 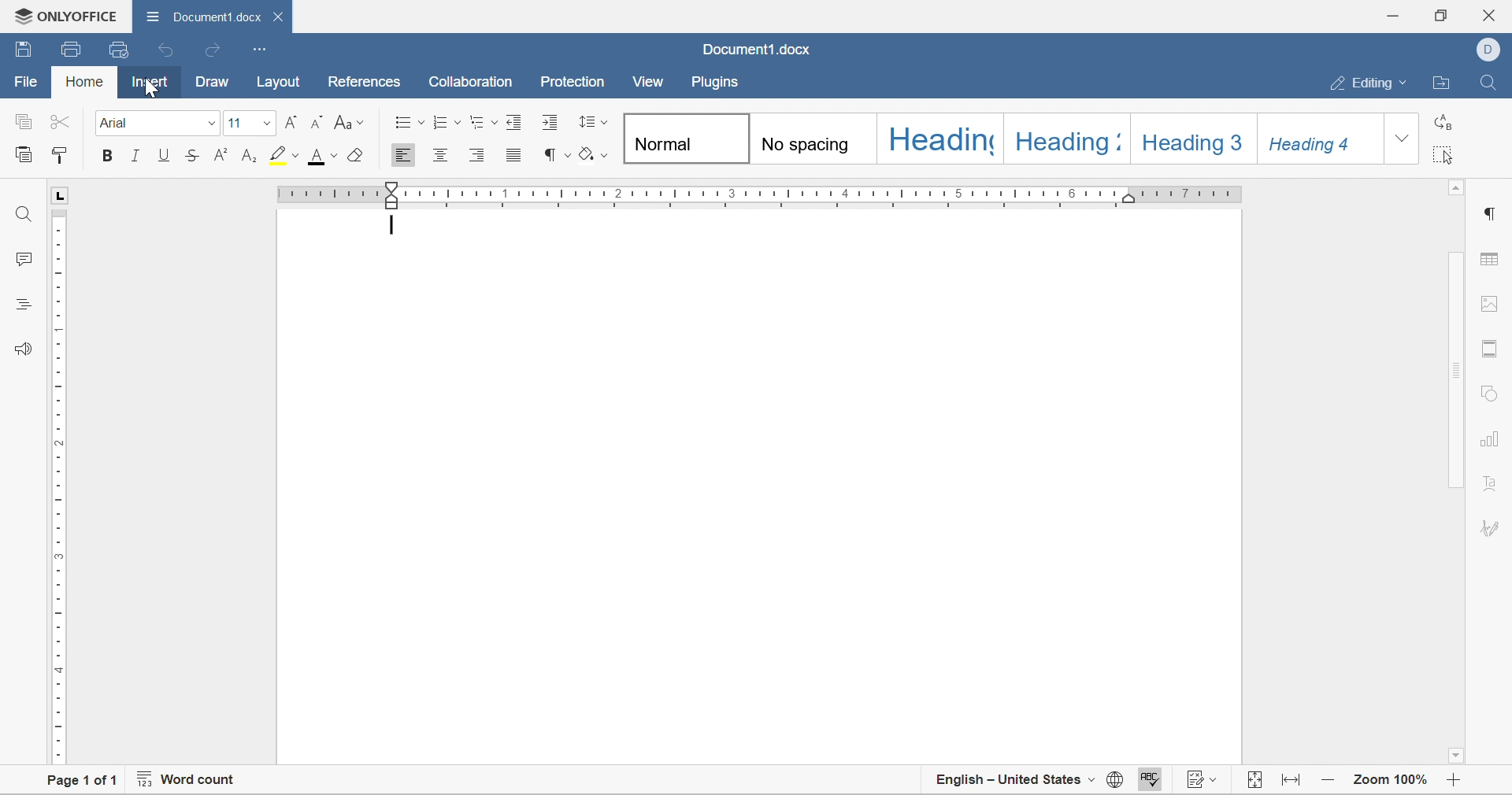 I want to click on Bold, so click(x=106, y=157).